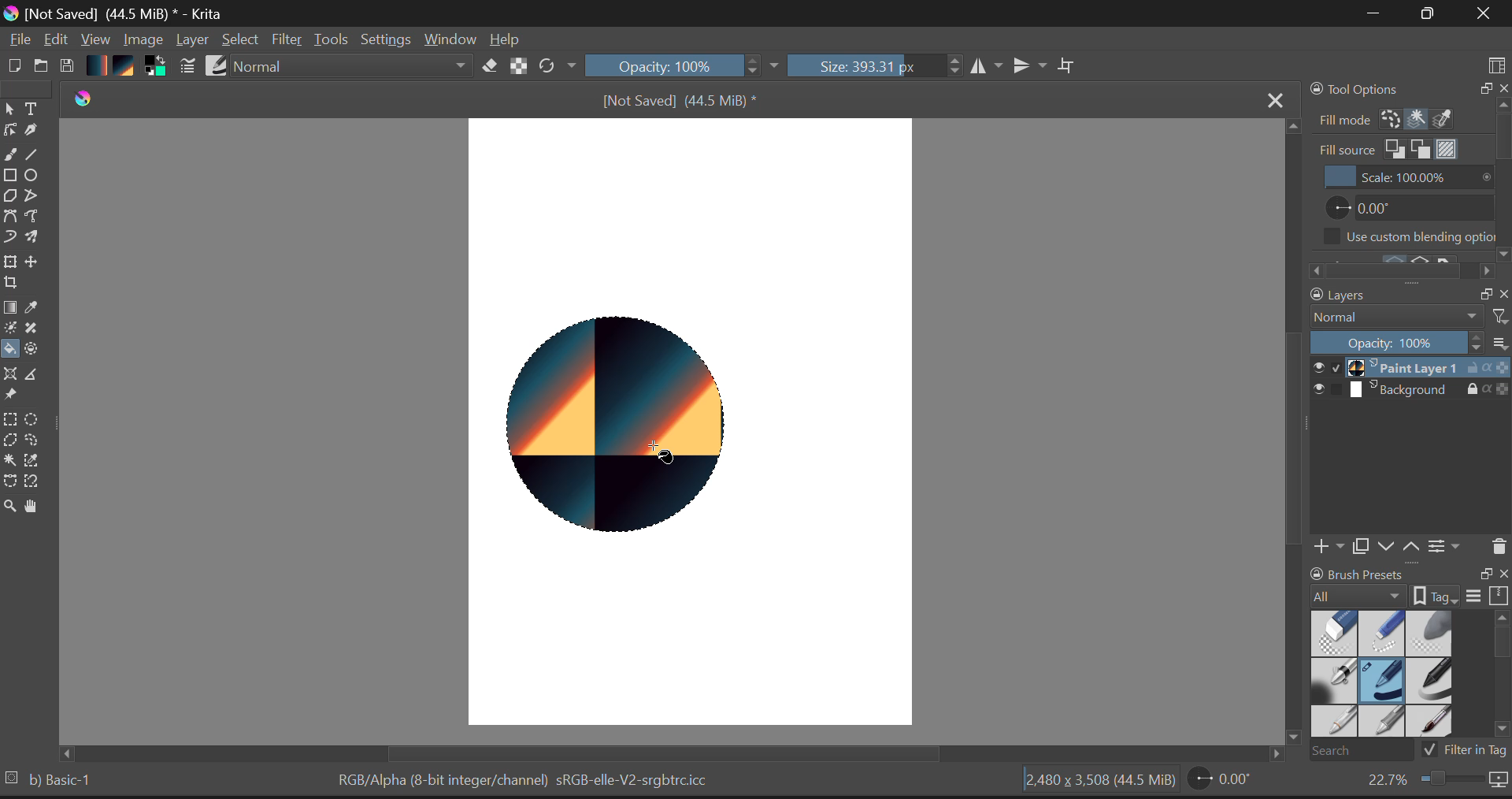 The image size is (1512, 799). Describe the element at coordinates (351, 68) in the screenshot. I see `Blending Mode` at that location.